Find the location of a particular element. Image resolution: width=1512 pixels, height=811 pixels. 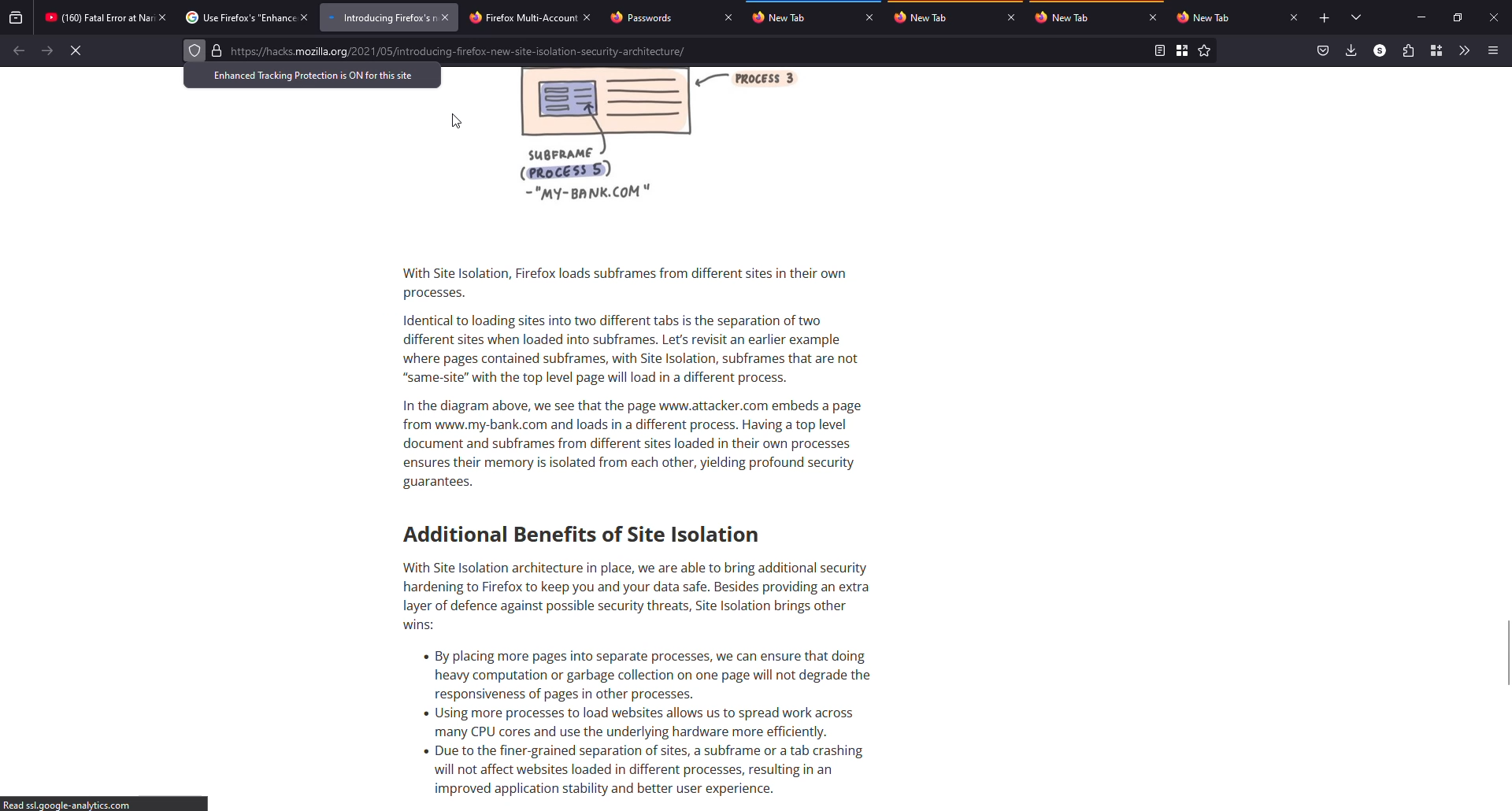

website description is located at coordinates (646, 478).